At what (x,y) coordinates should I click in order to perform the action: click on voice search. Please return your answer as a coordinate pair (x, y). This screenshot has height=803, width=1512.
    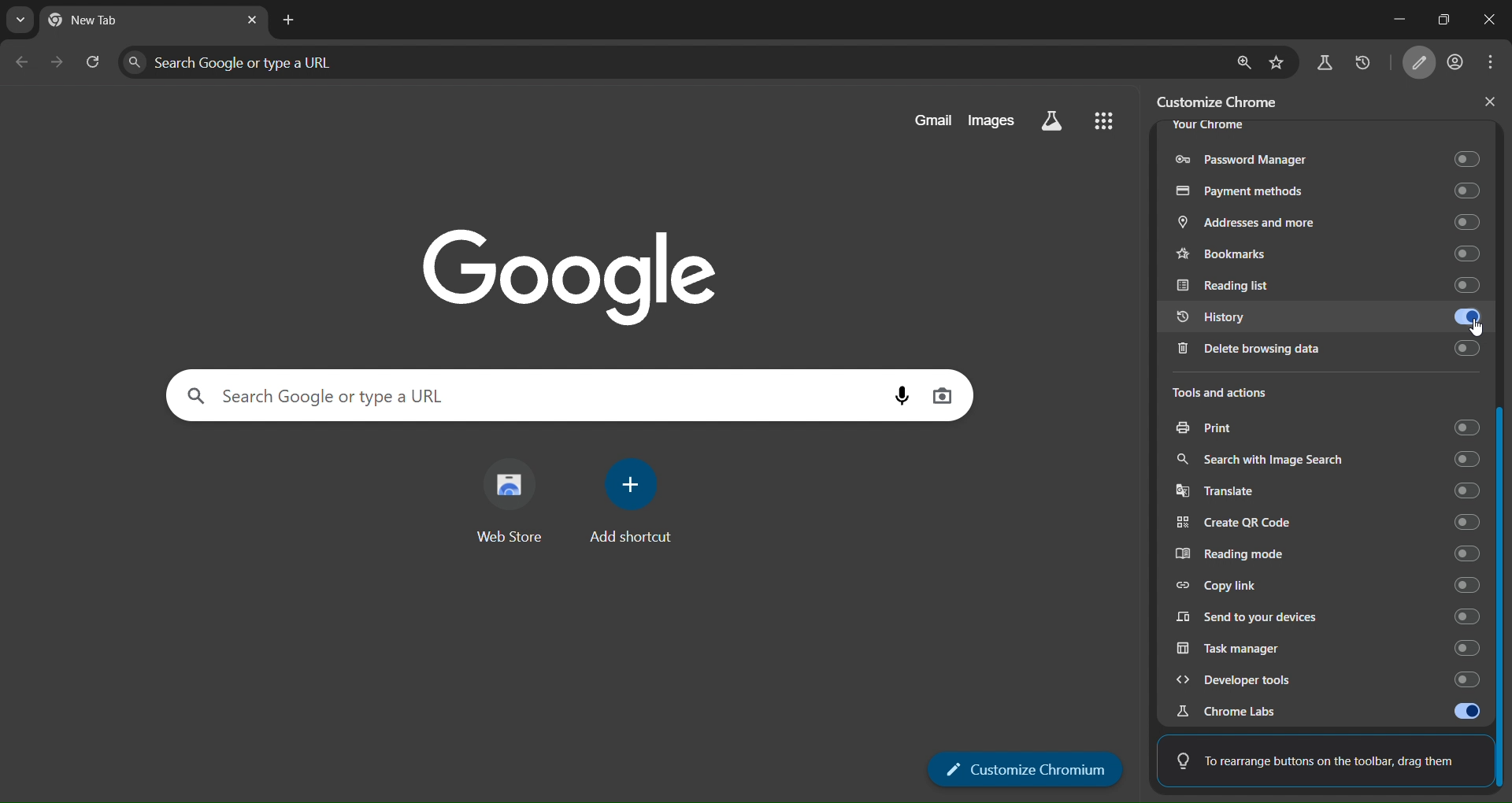
    Looking at the image, I should click on (902, 396).